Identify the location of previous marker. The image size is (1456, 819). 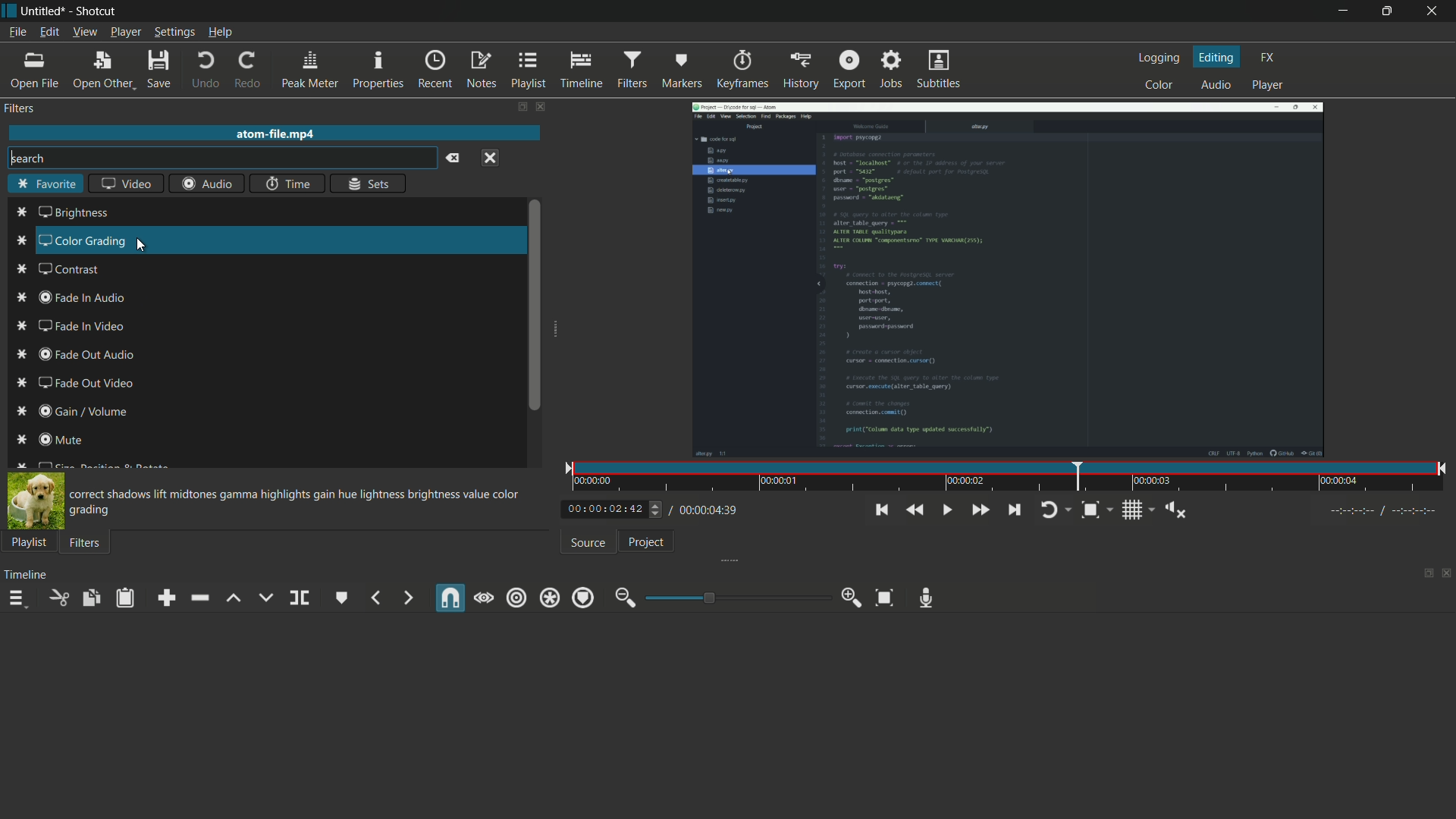
(377, 598).